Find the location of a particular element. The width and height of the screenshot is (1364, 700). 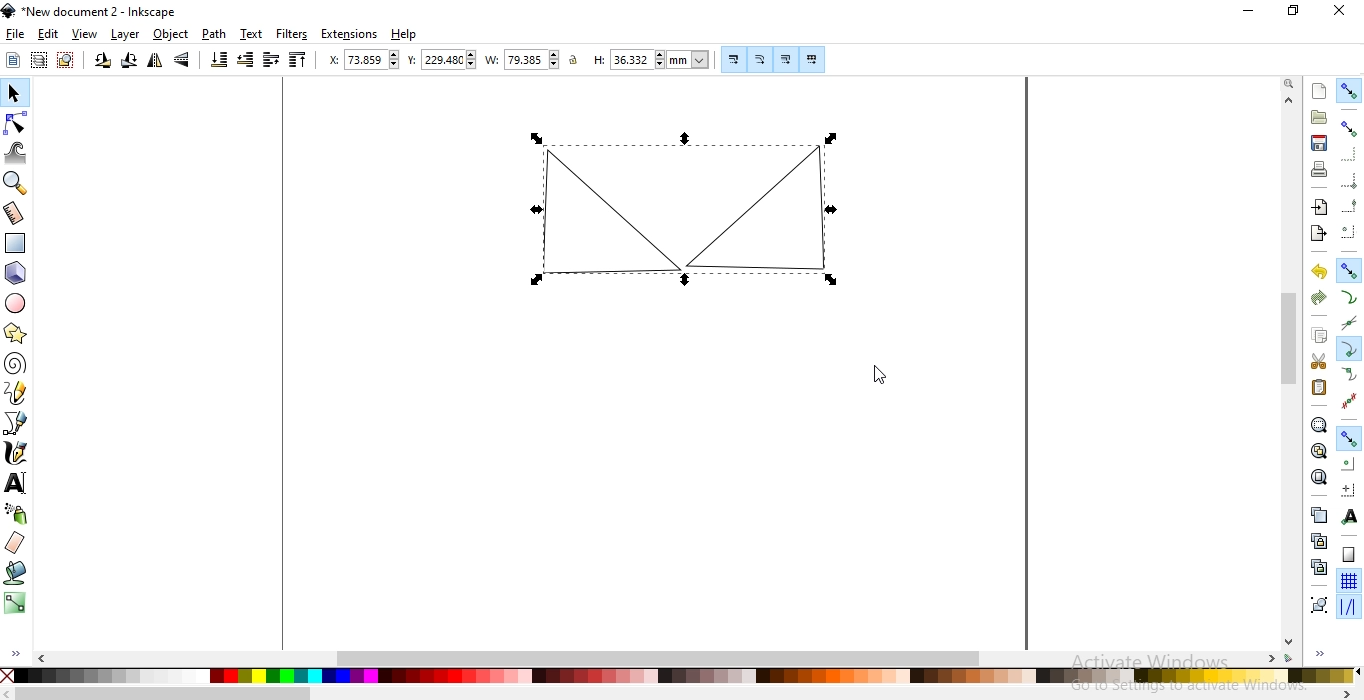

help is located at coordinates (407, 35).